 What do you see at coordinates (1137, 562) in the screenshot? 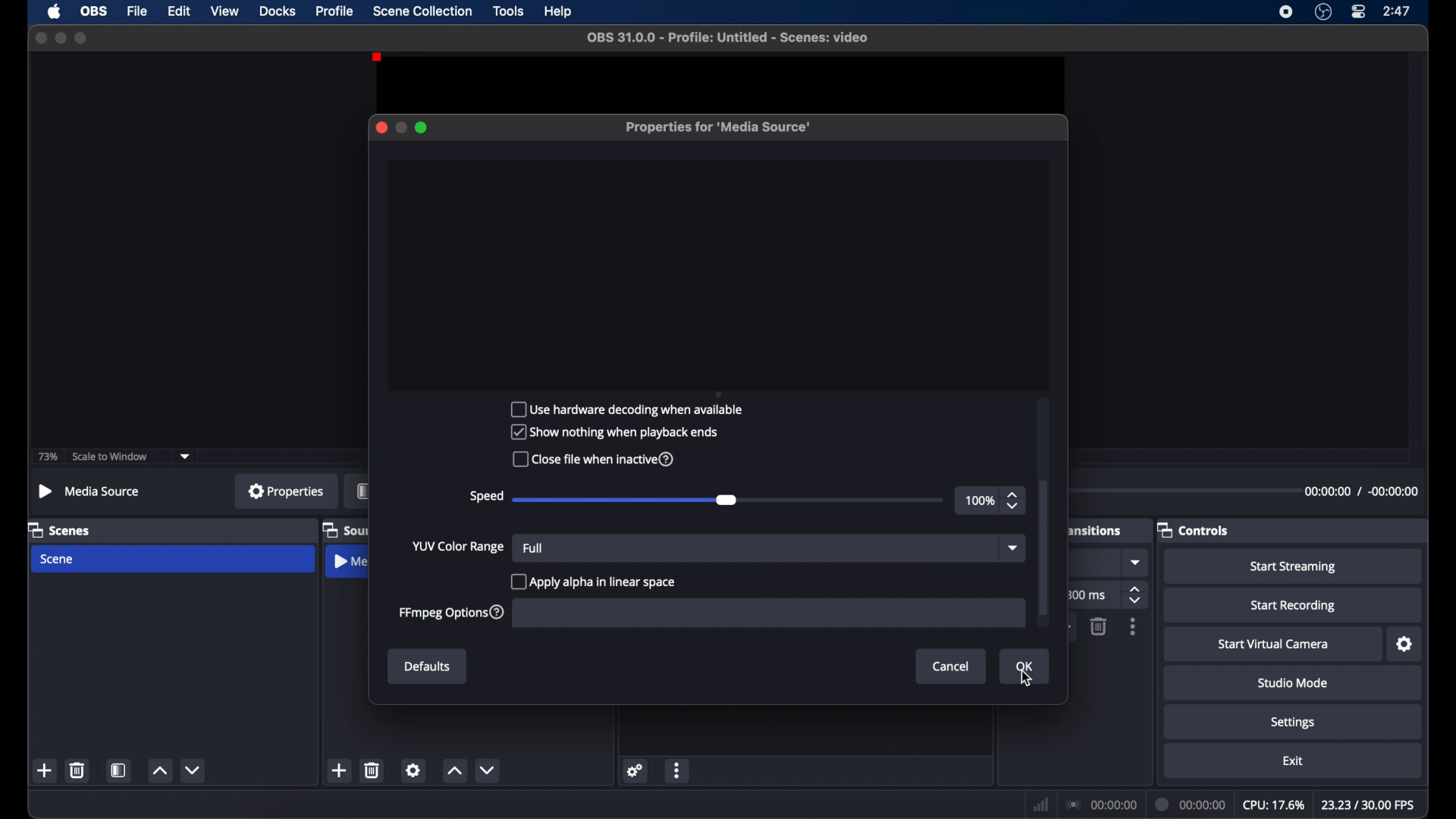
I see `dropdown` at bounding box center [1137, 562].